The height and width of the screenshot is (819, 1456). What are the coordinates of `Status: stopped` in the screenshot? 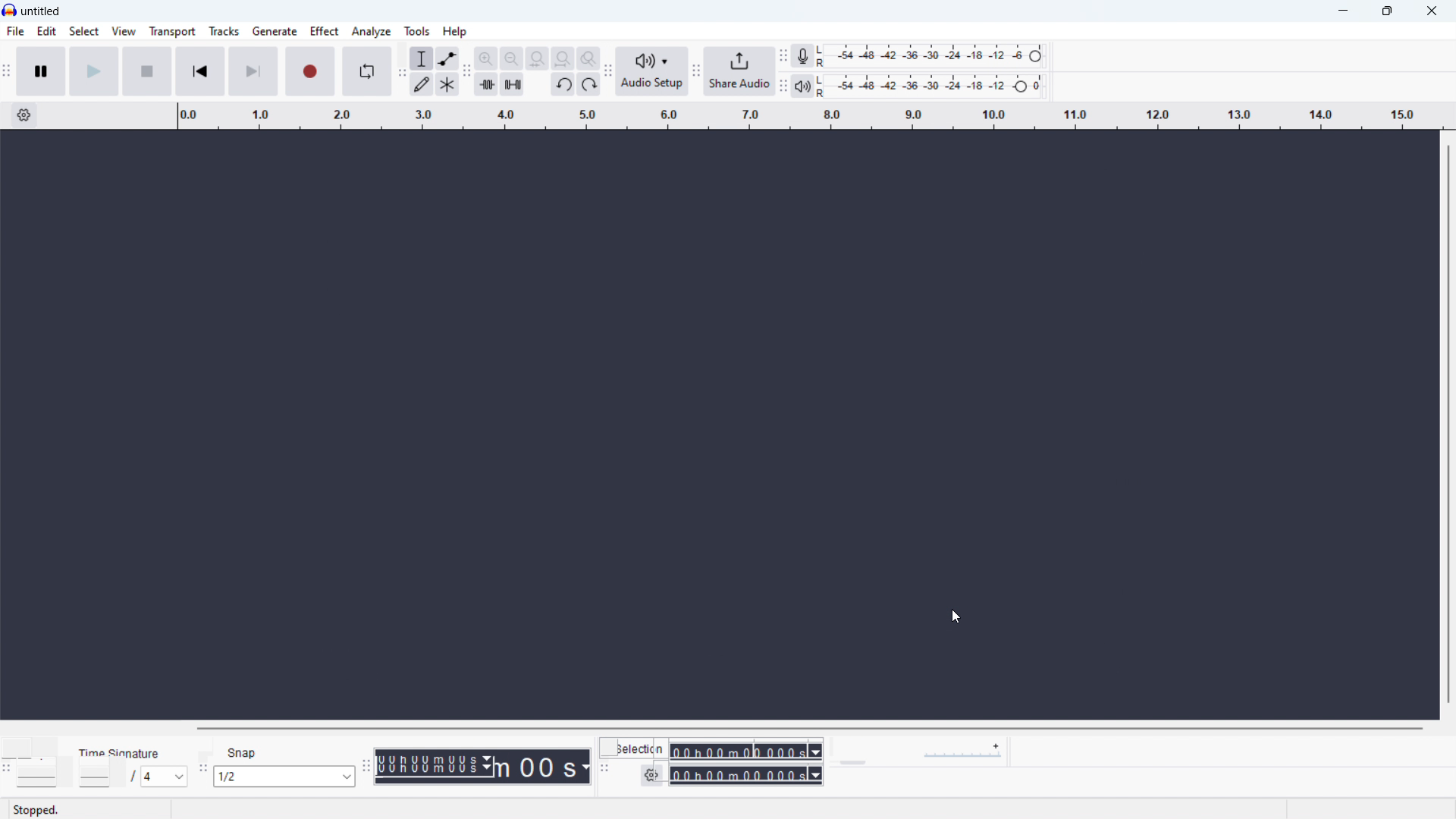 It's located at (38, 809).